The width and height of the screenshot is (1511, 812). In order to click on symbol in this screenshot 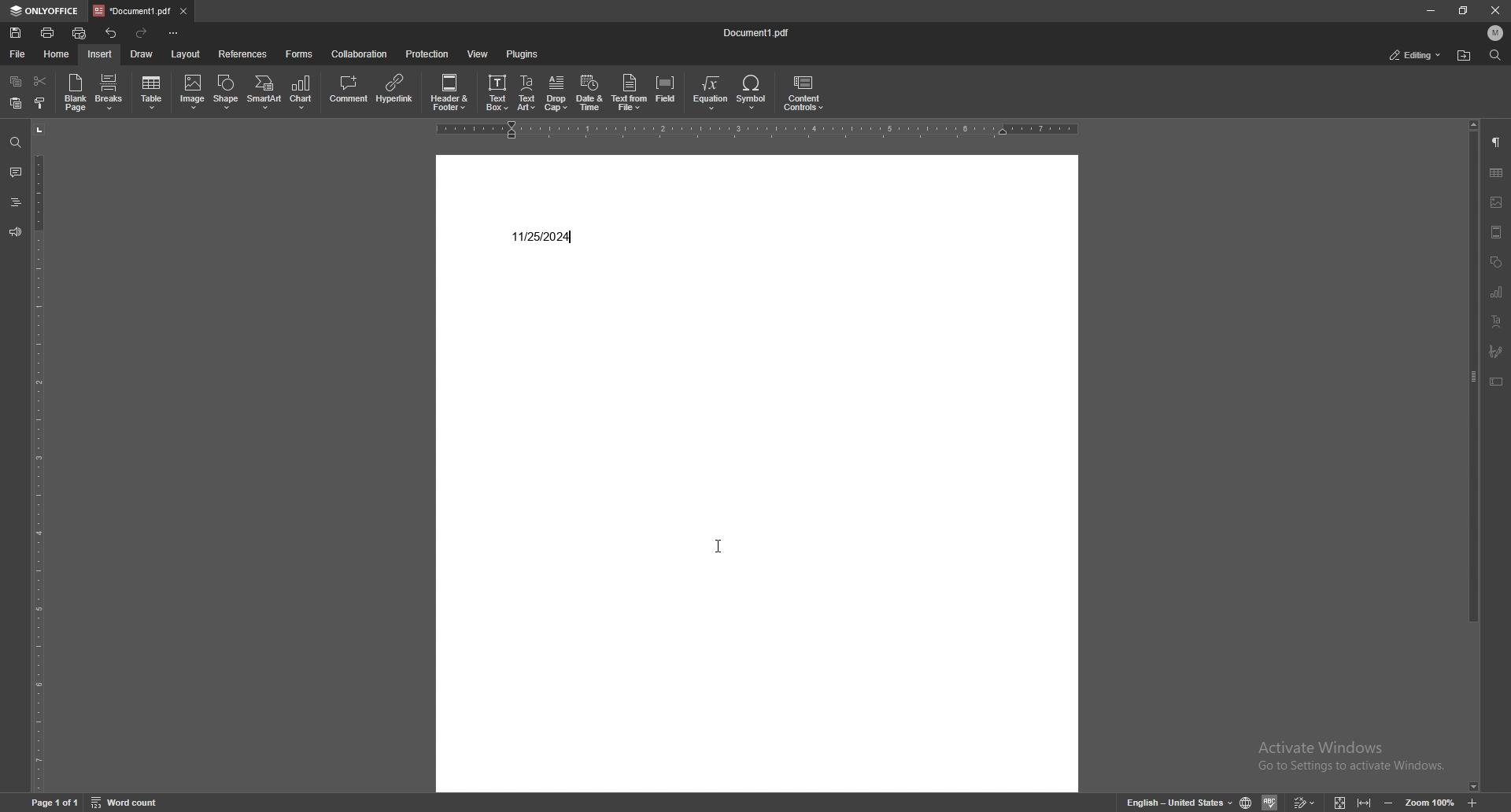, I will do `click(753, 92)`.